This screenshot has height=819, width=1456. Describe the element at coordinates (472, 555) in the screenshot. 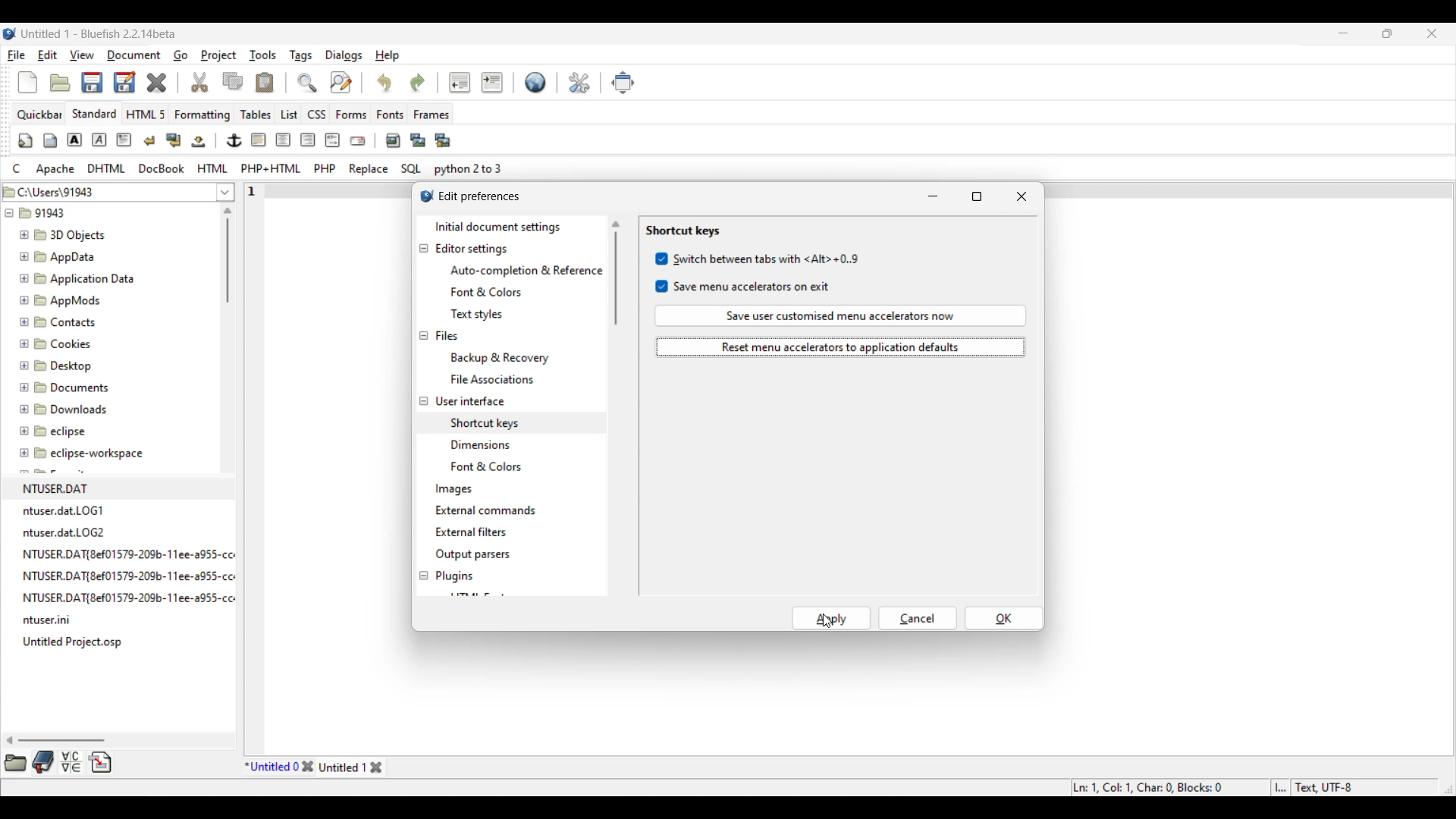

I see `Output parsers` at that location.